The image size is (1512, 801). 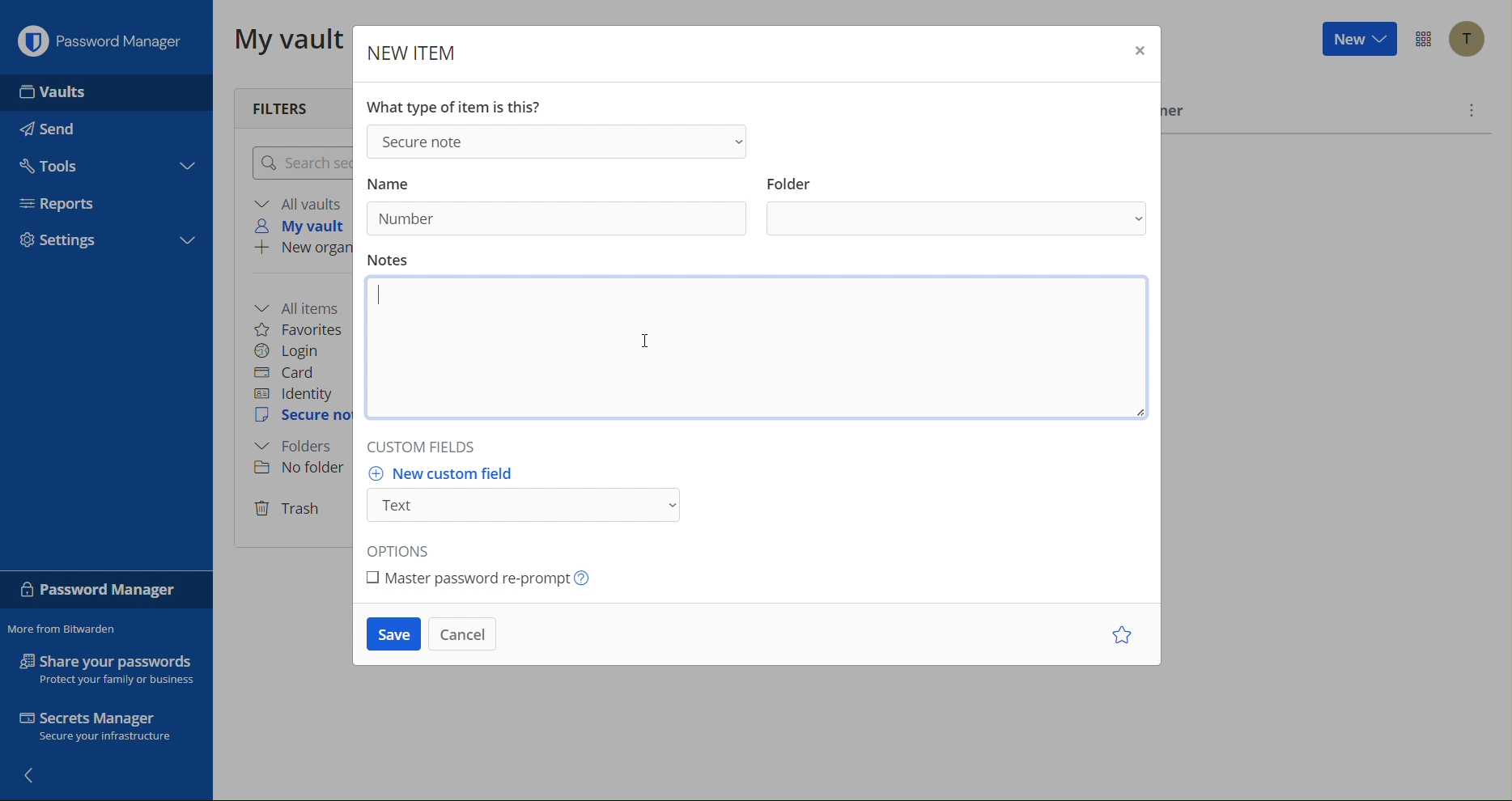 I want to click on Close, so click(x=1137, y=51).